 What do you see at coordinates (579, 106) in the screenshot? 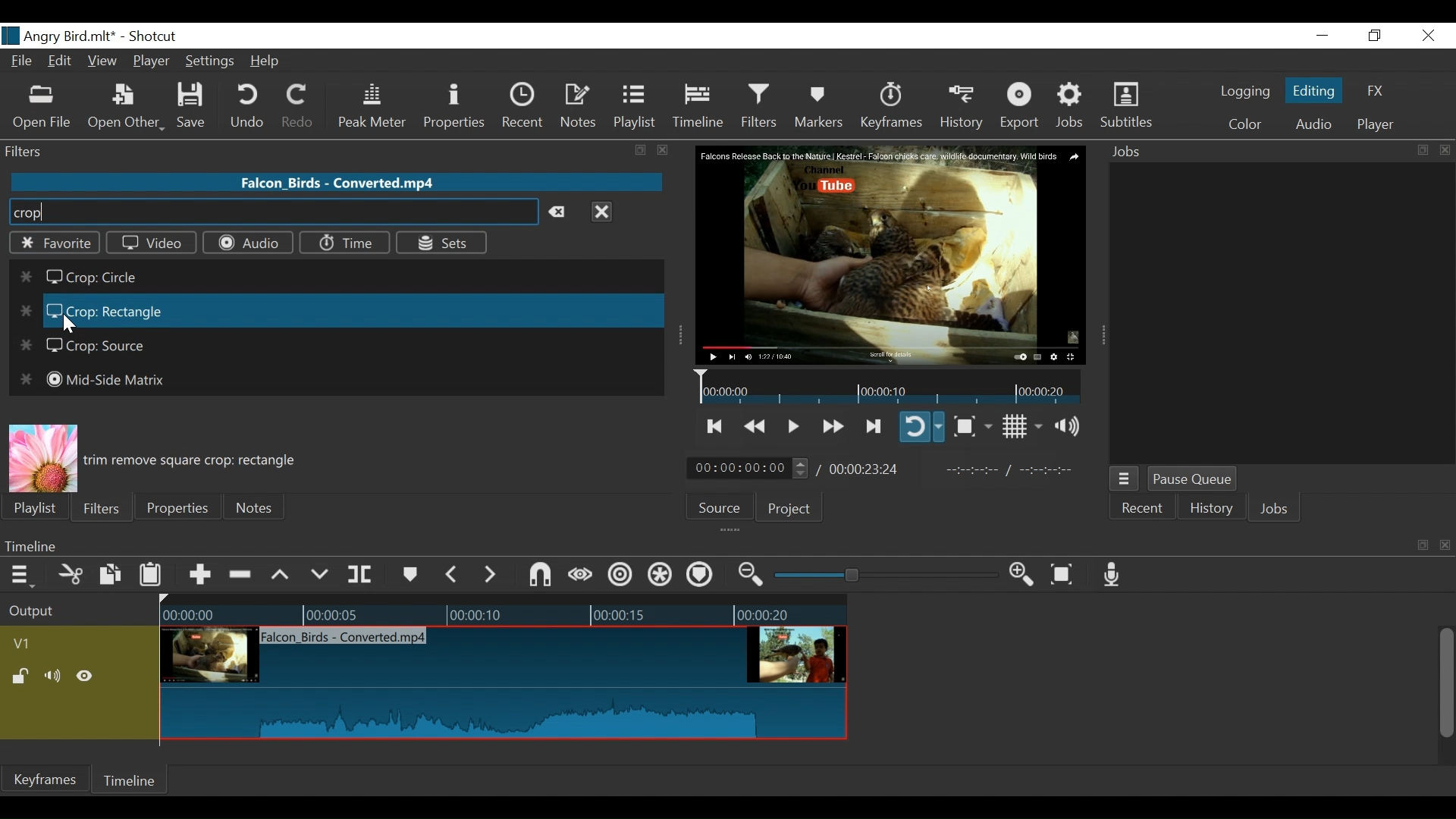
I see `Notes` at bounding box center [579, 106].